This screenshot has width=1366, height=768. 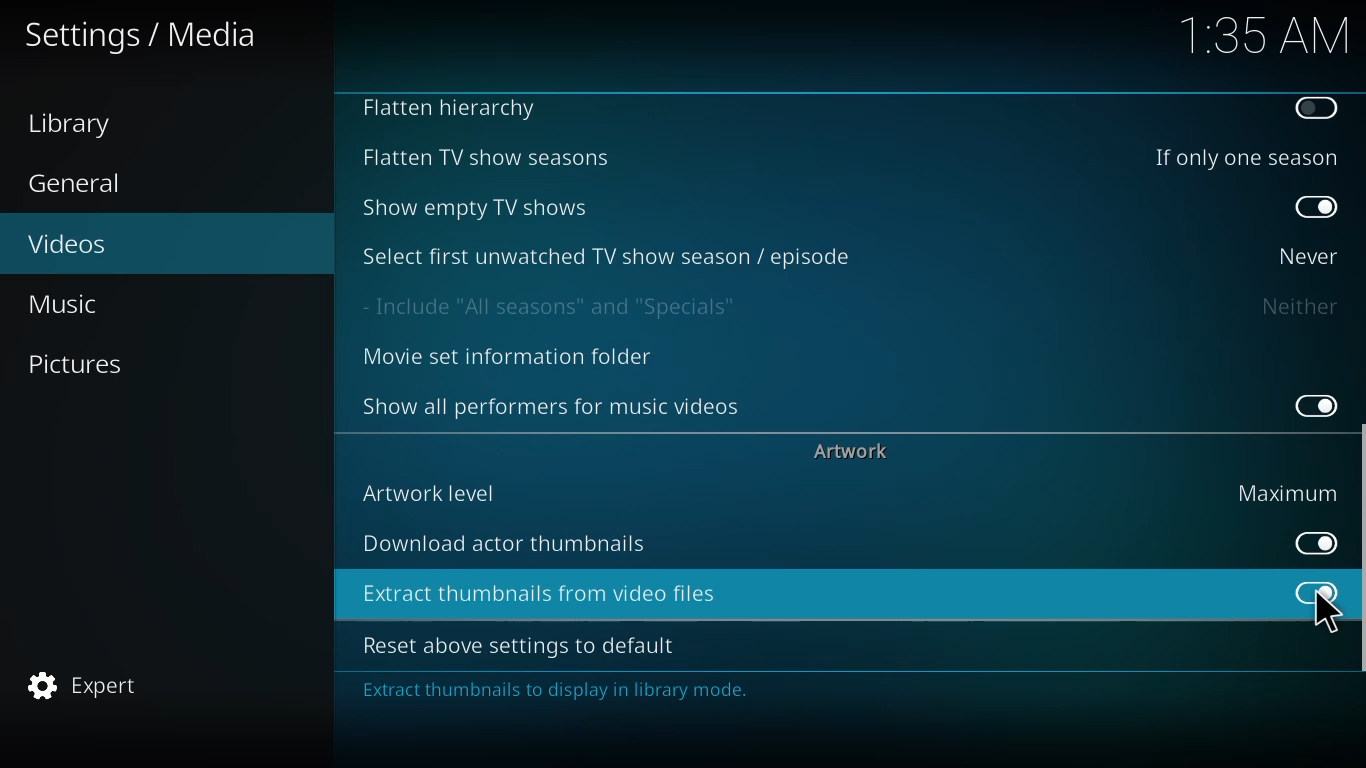 I want to click on flatten hierarchy, so click(x=455, y=110).